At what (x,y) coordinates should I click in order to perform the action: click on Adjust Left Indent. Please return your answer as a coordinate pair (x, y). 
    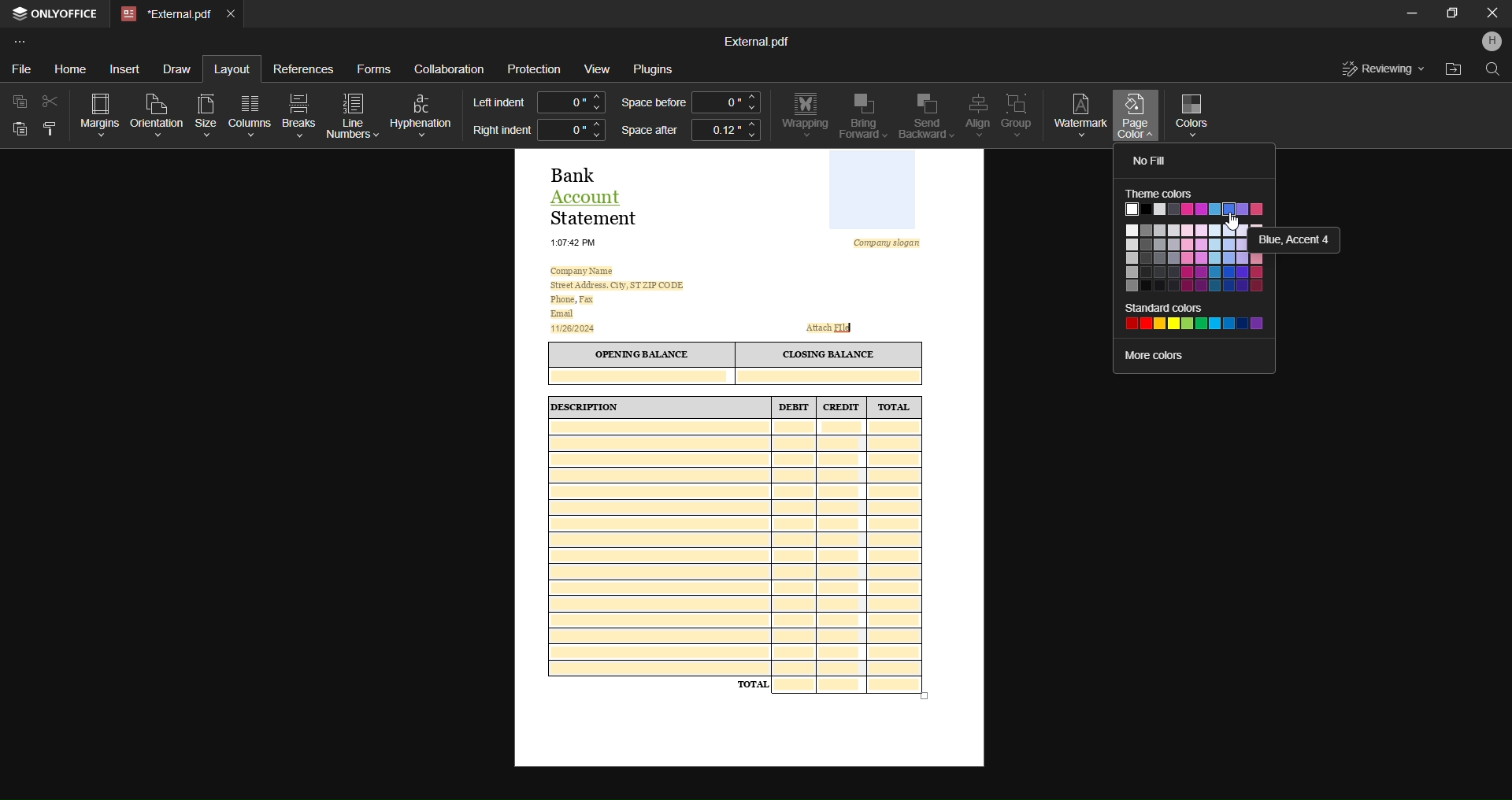
    Looking at the image, I should click on (572, 102).